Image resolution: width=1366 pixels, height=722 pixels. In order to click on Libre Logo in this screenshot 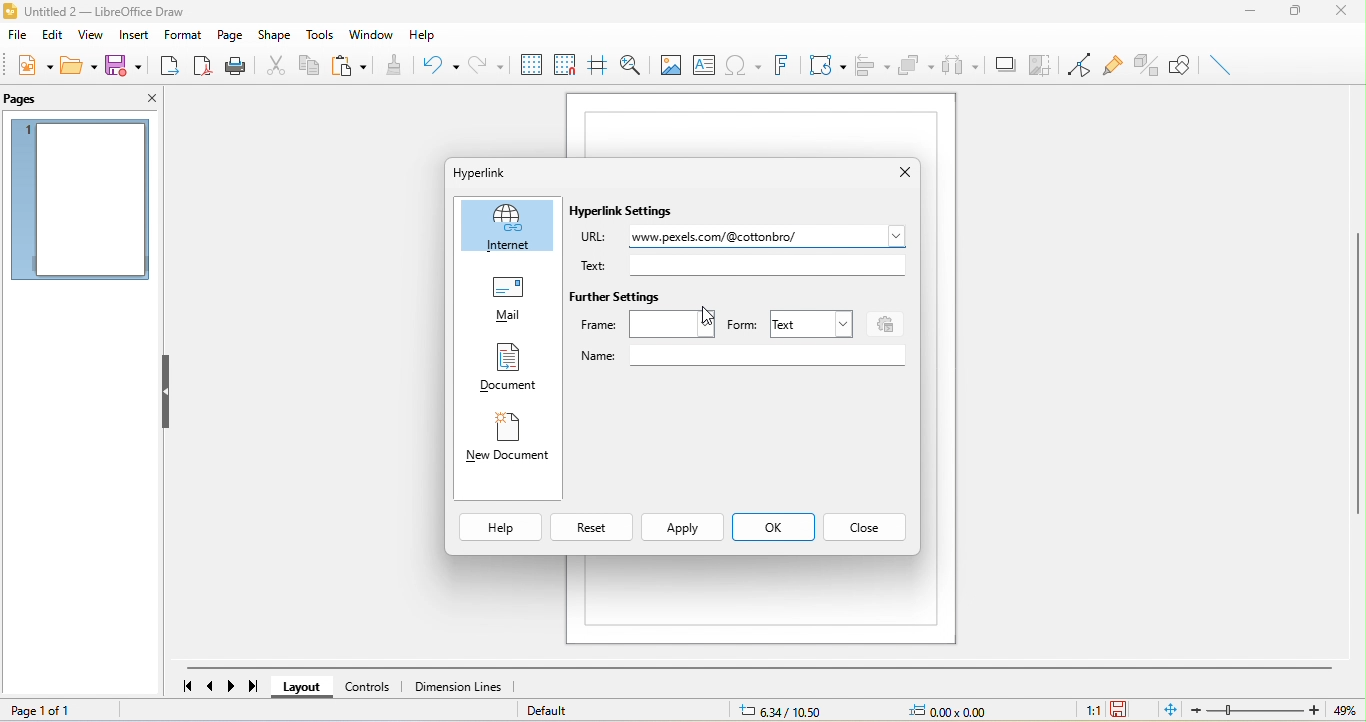, I will do `click(9, 13)`.